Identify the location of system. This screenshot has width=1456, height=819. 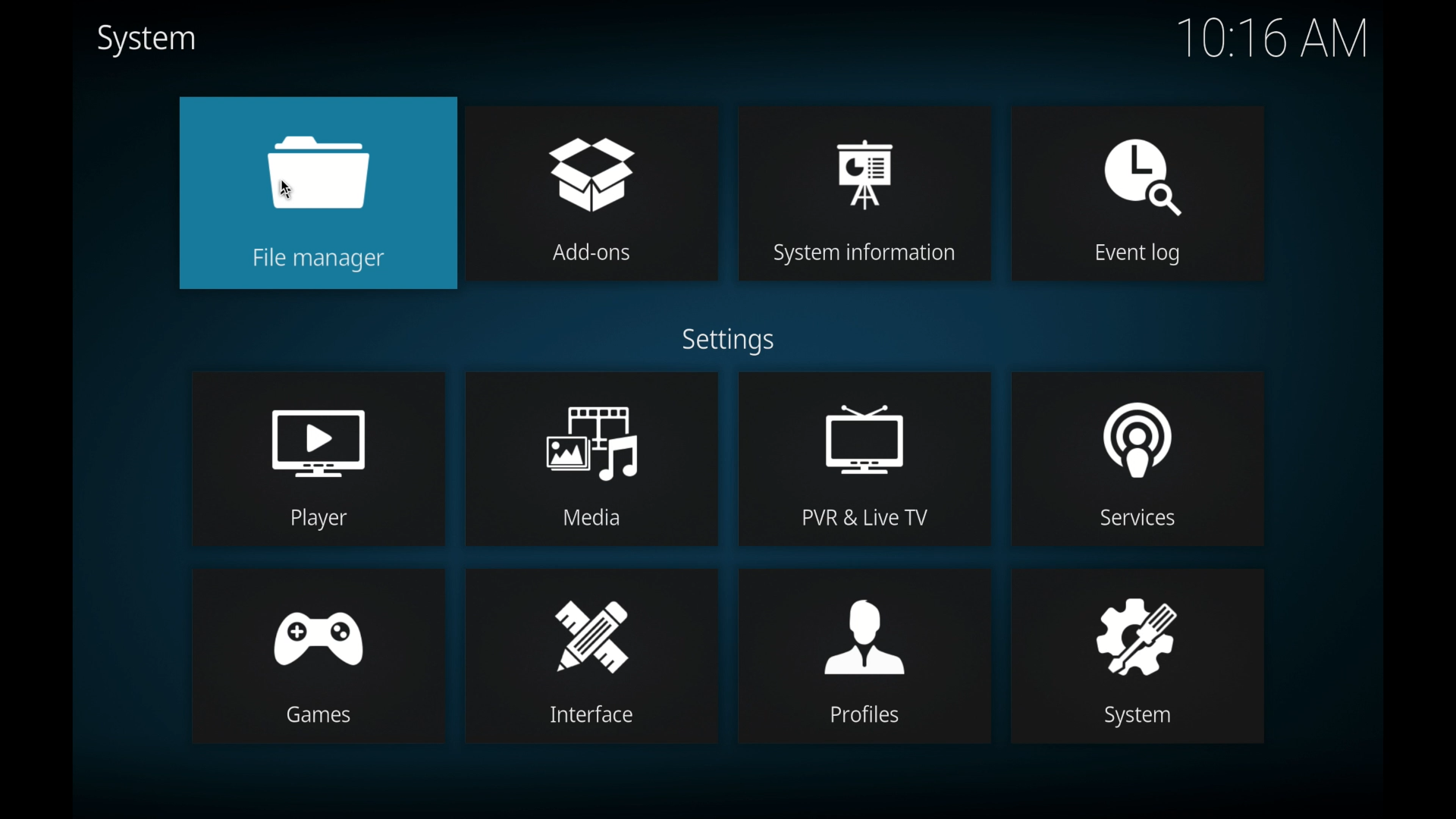
(147, 41).